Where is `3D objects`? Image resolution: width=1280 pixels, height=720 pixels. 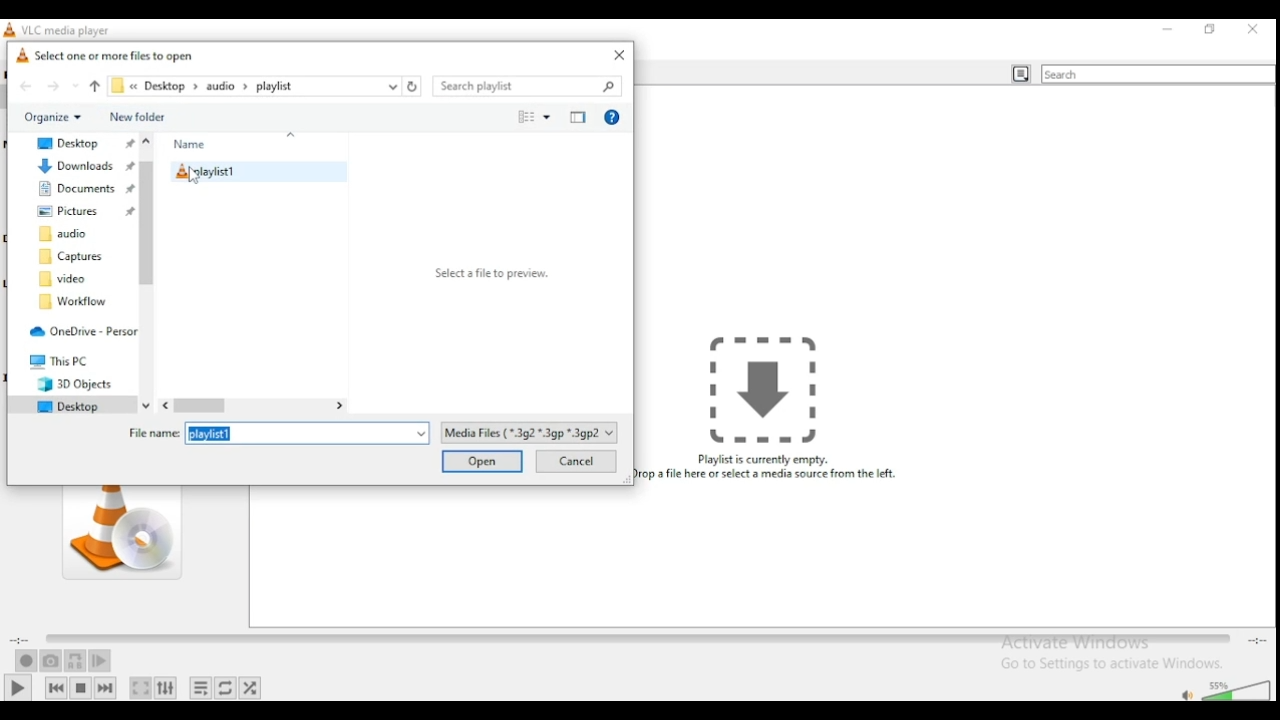
3D objects is located at coordinates (76, 383).